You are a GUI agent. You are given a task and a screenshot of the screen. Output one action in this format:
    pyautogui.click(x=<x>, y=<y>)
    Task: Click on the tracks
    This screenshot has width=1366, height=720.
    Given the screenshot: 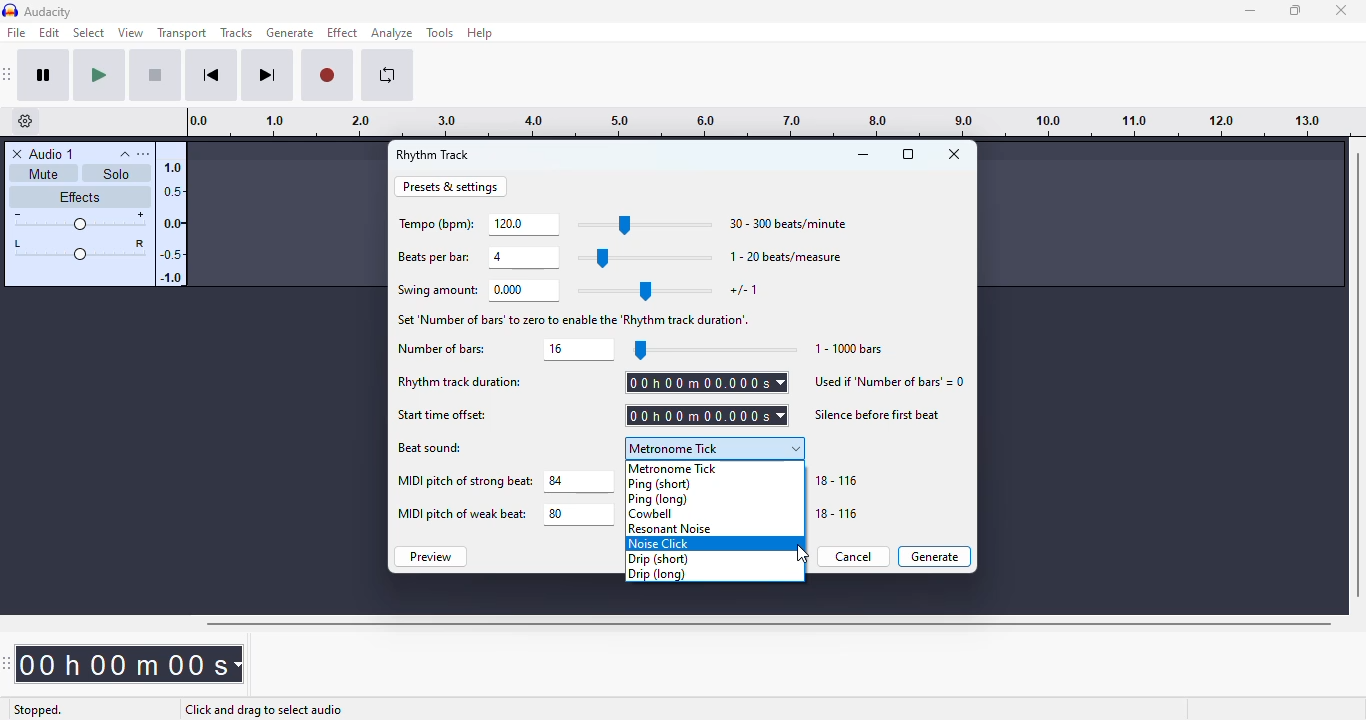 What is the action you would take?
    pyautogui.click(x=236, y=32)
    